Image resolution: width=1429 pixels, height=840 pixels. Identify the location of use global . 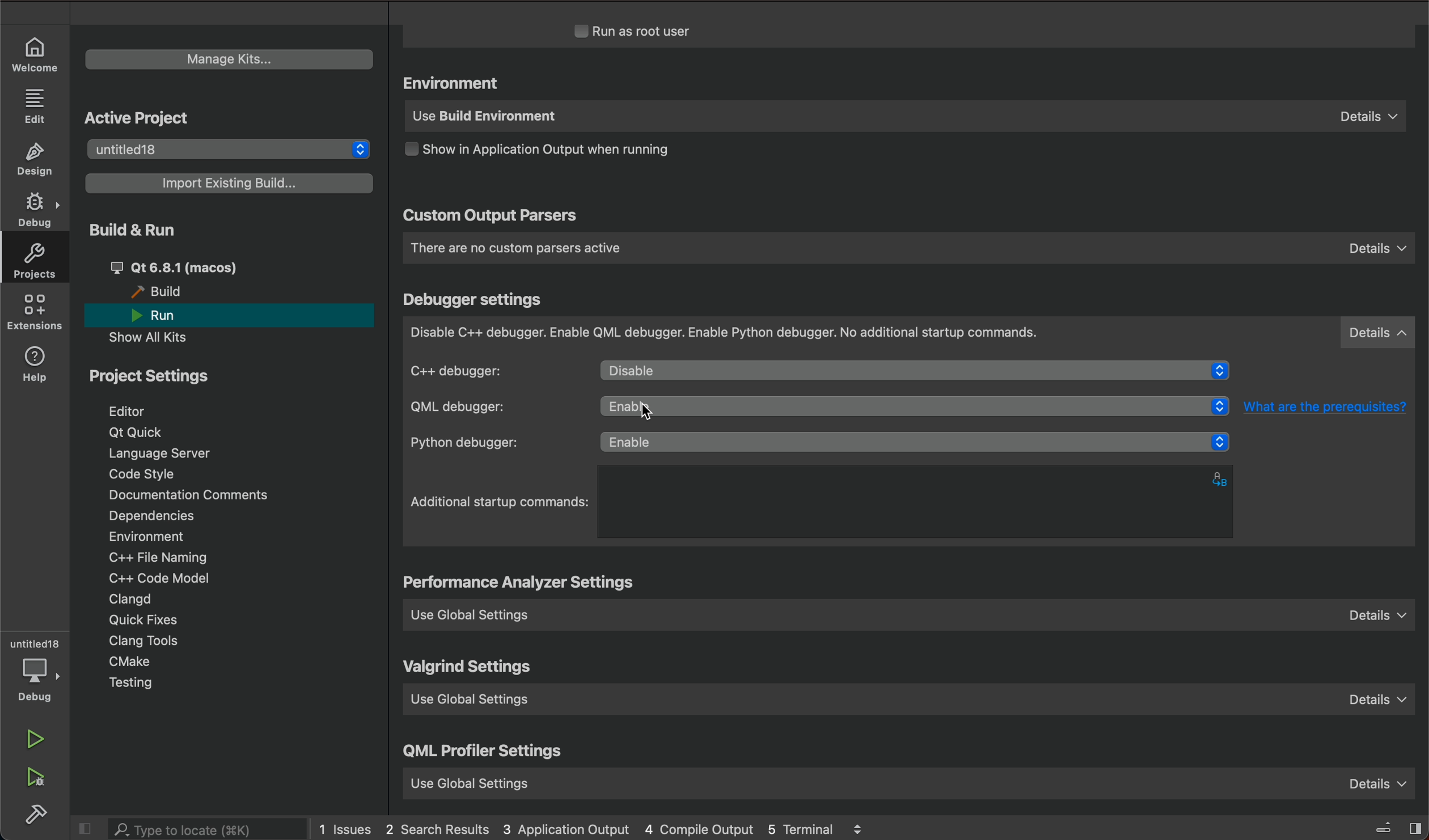
(916, 614).